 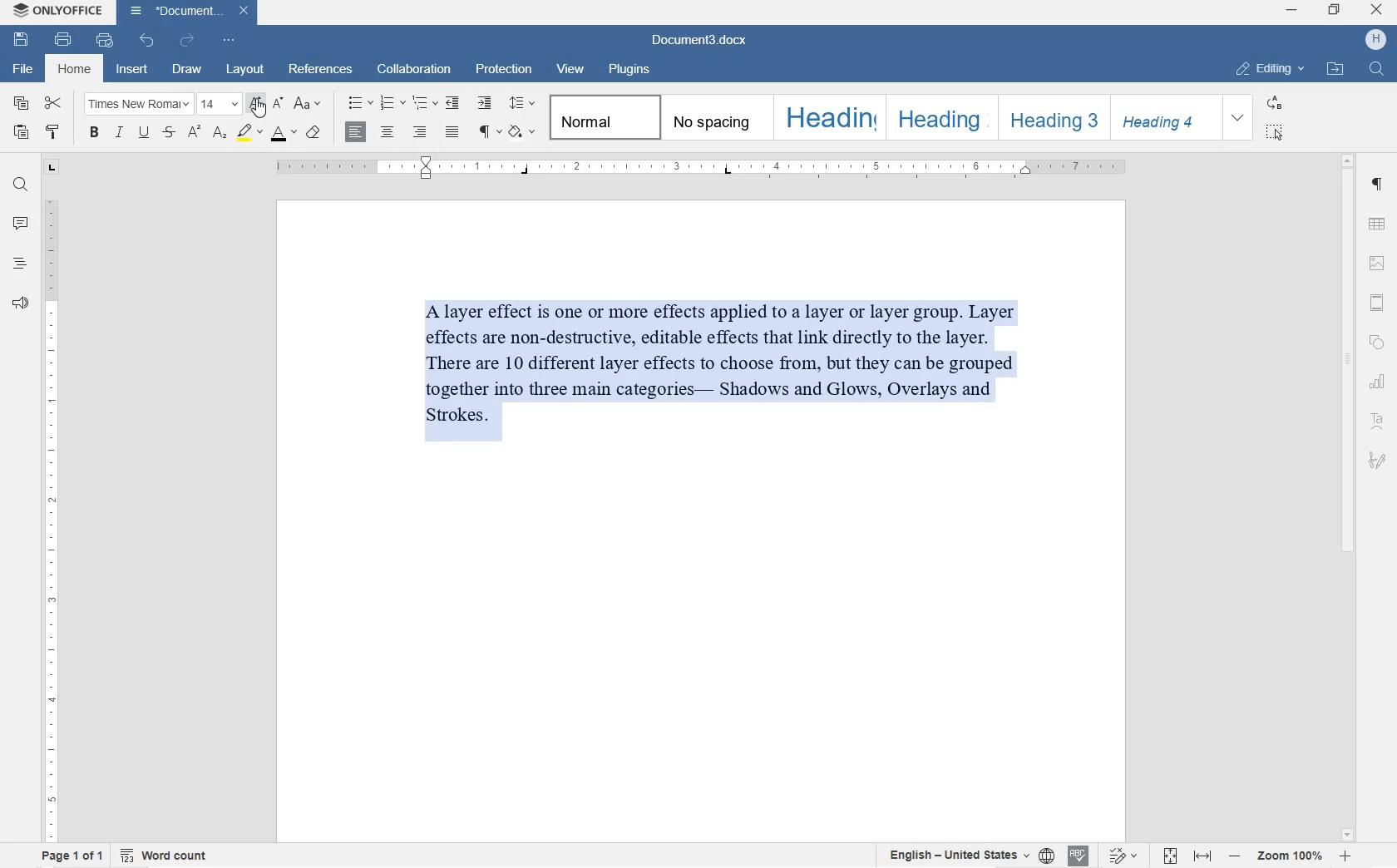 I want to click on decrement font size, so click(x=279, y=102).